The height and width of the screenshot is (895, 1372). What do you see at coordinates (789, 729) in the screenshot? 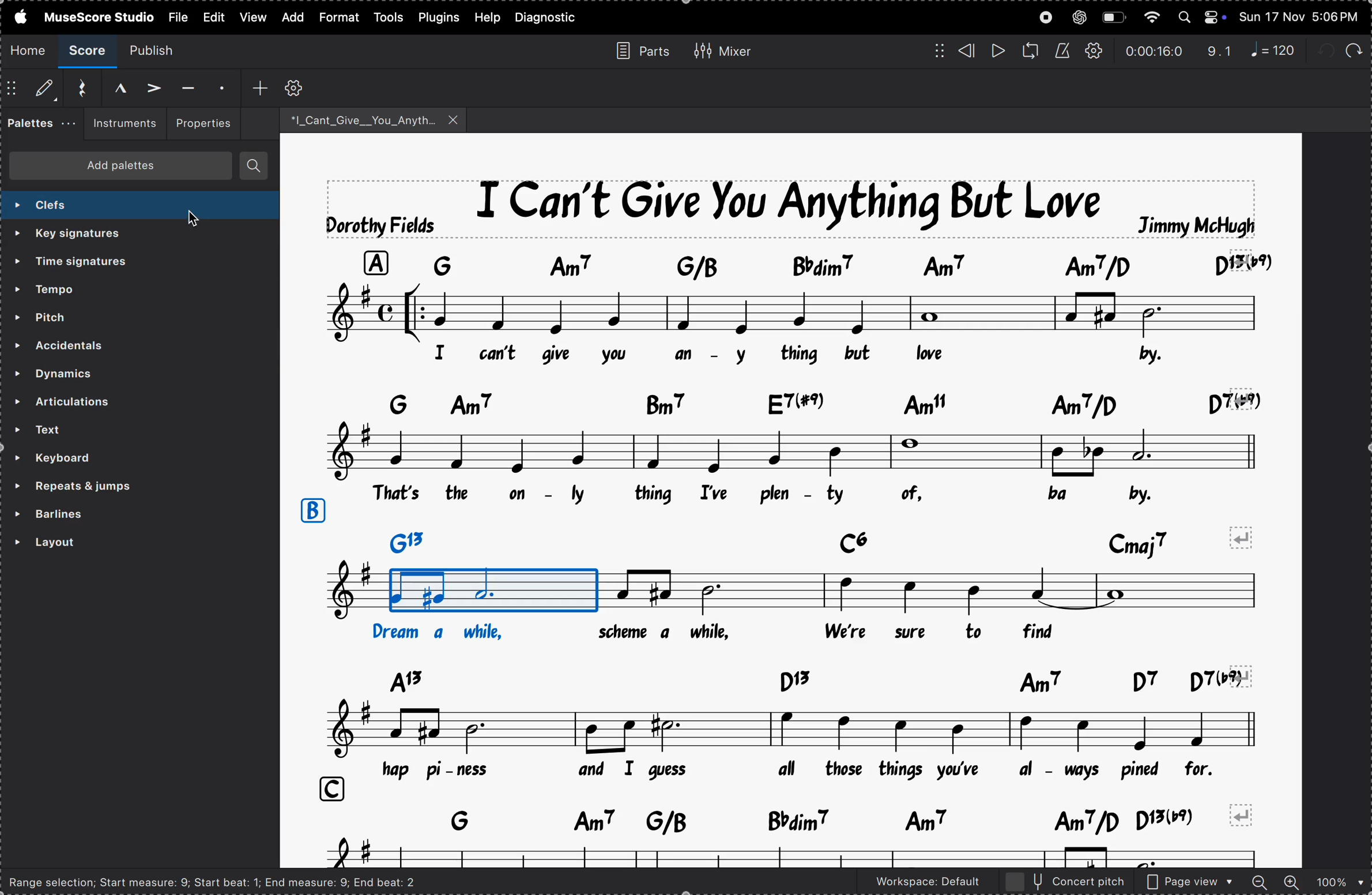
I see `notes` at bounding box center [789, 729].